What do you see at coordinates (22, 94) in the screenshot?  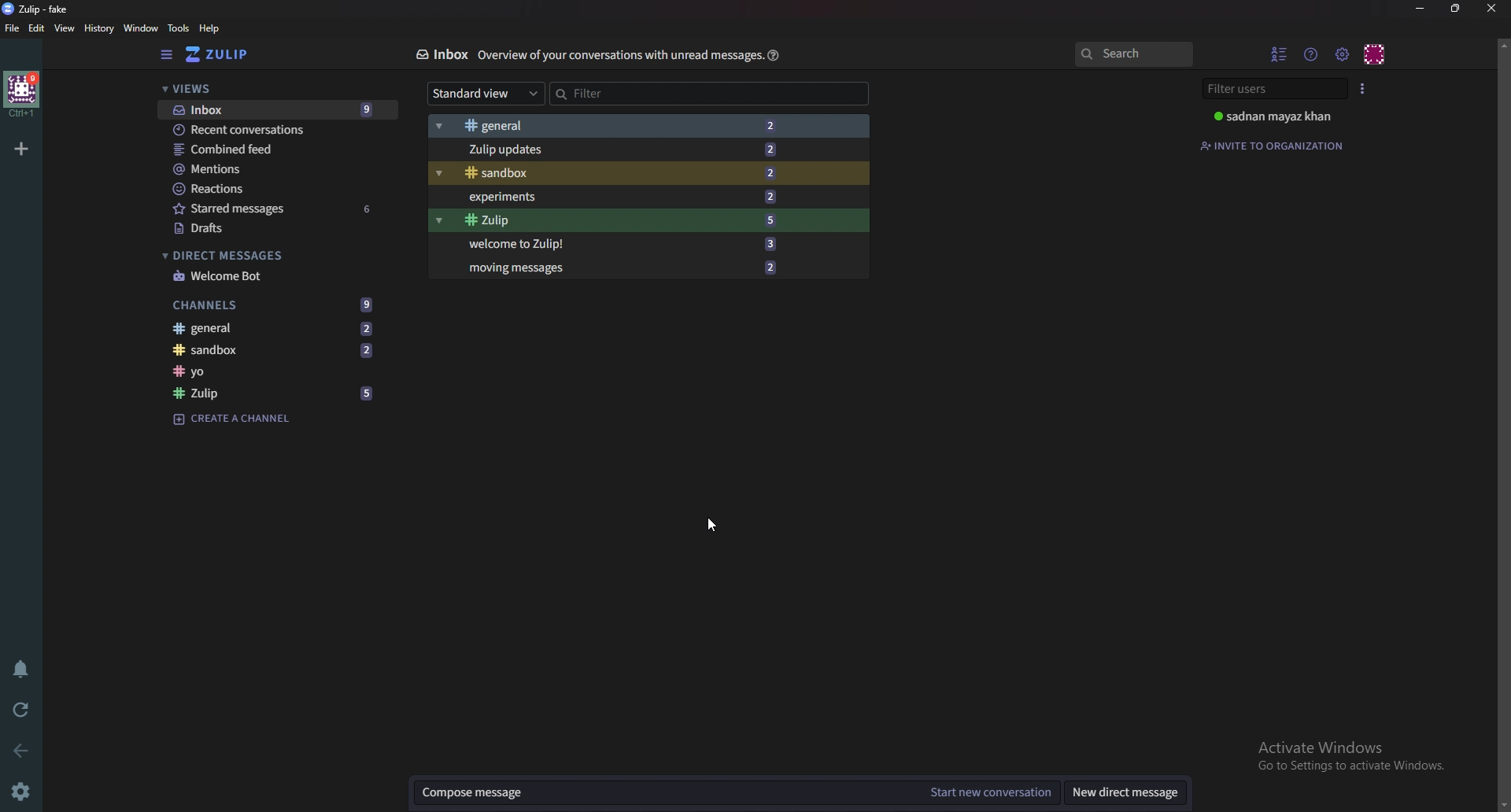 I see `home` at bounding box center [22, 94].